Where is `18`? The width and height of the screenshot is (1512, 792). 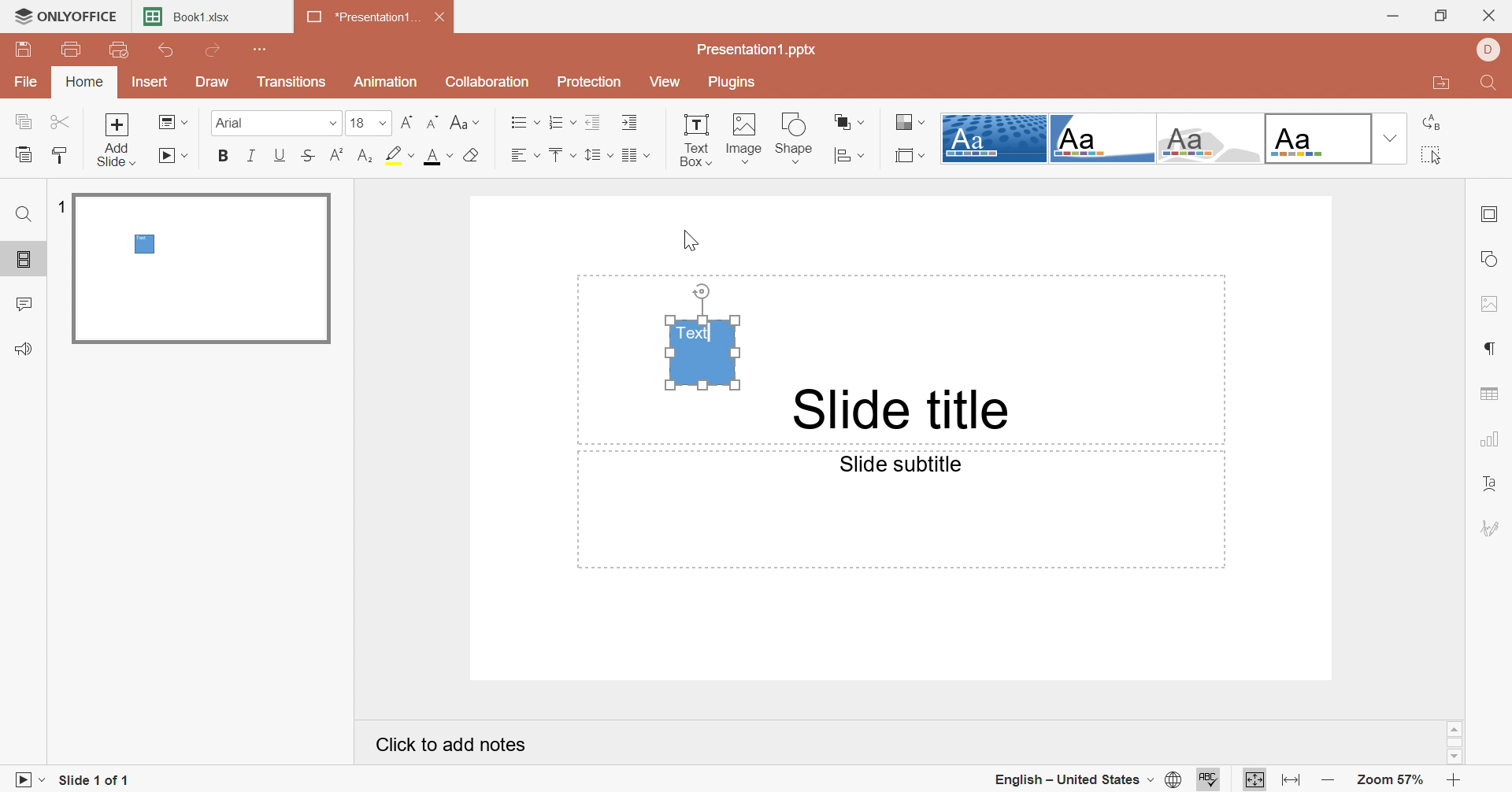
18 is located at coordinates (358, 124).